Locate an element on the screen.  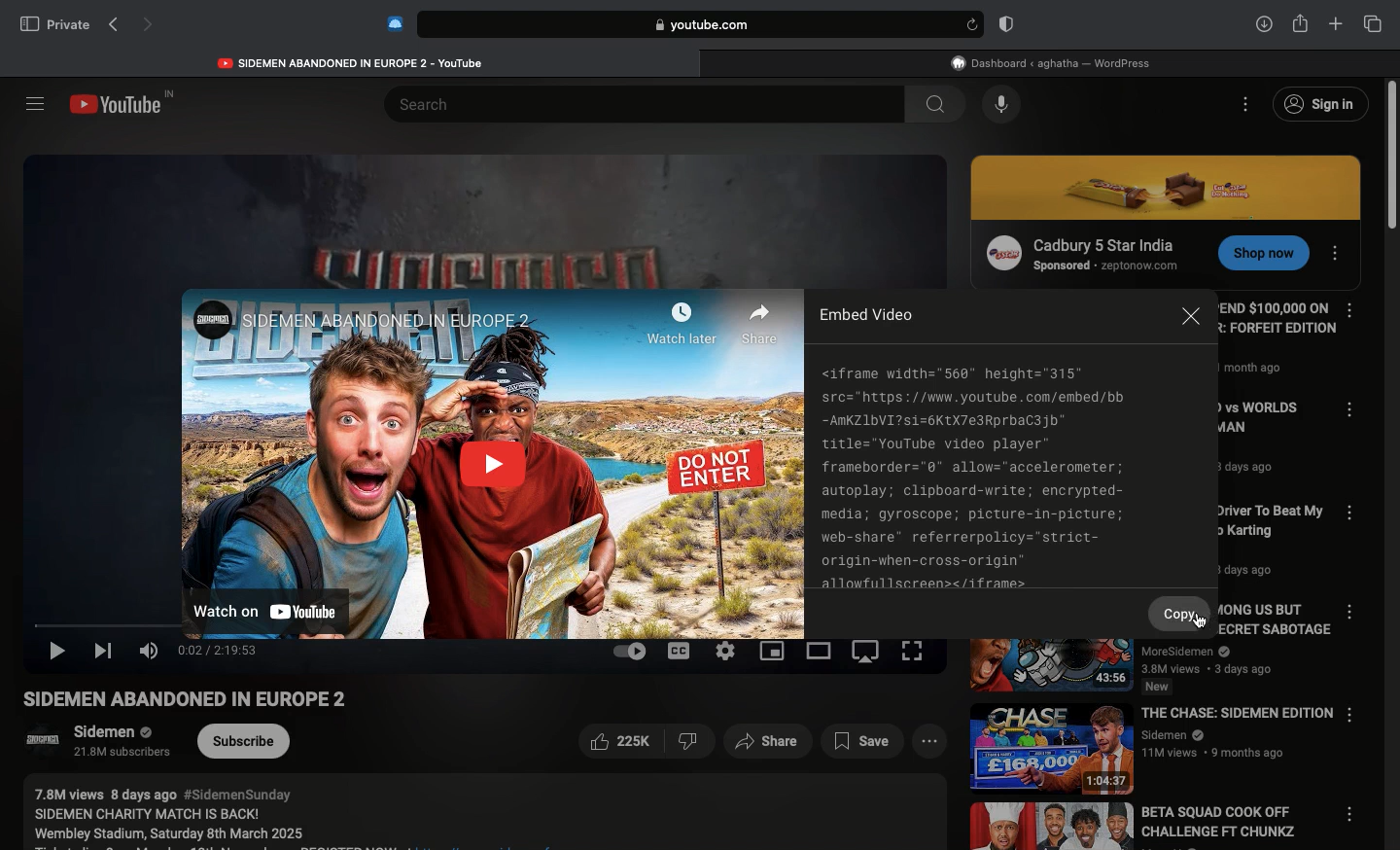
Video name is located at coordinates (205, 700).